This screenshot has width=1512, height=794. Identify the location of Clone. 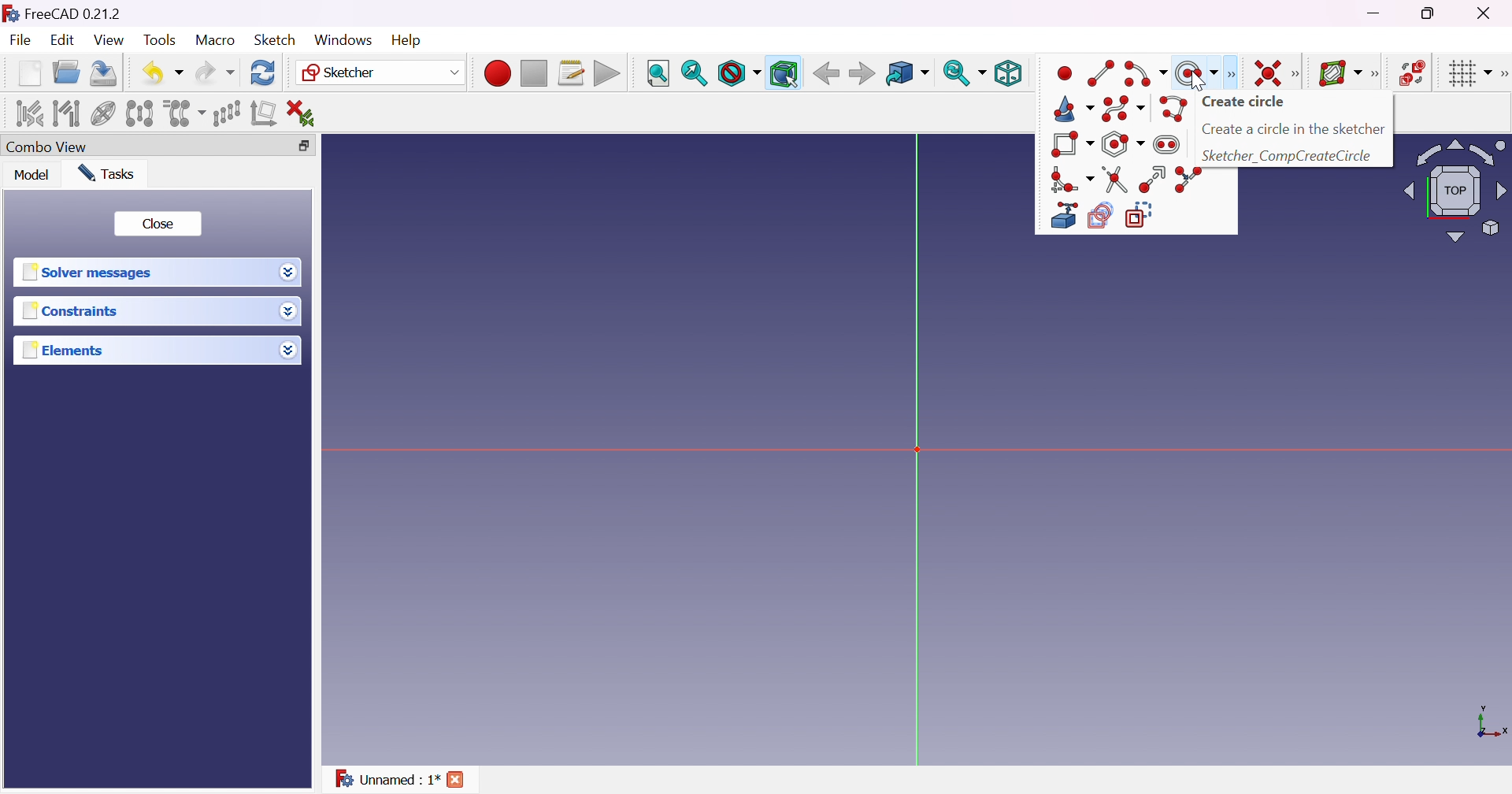
(183, 113).